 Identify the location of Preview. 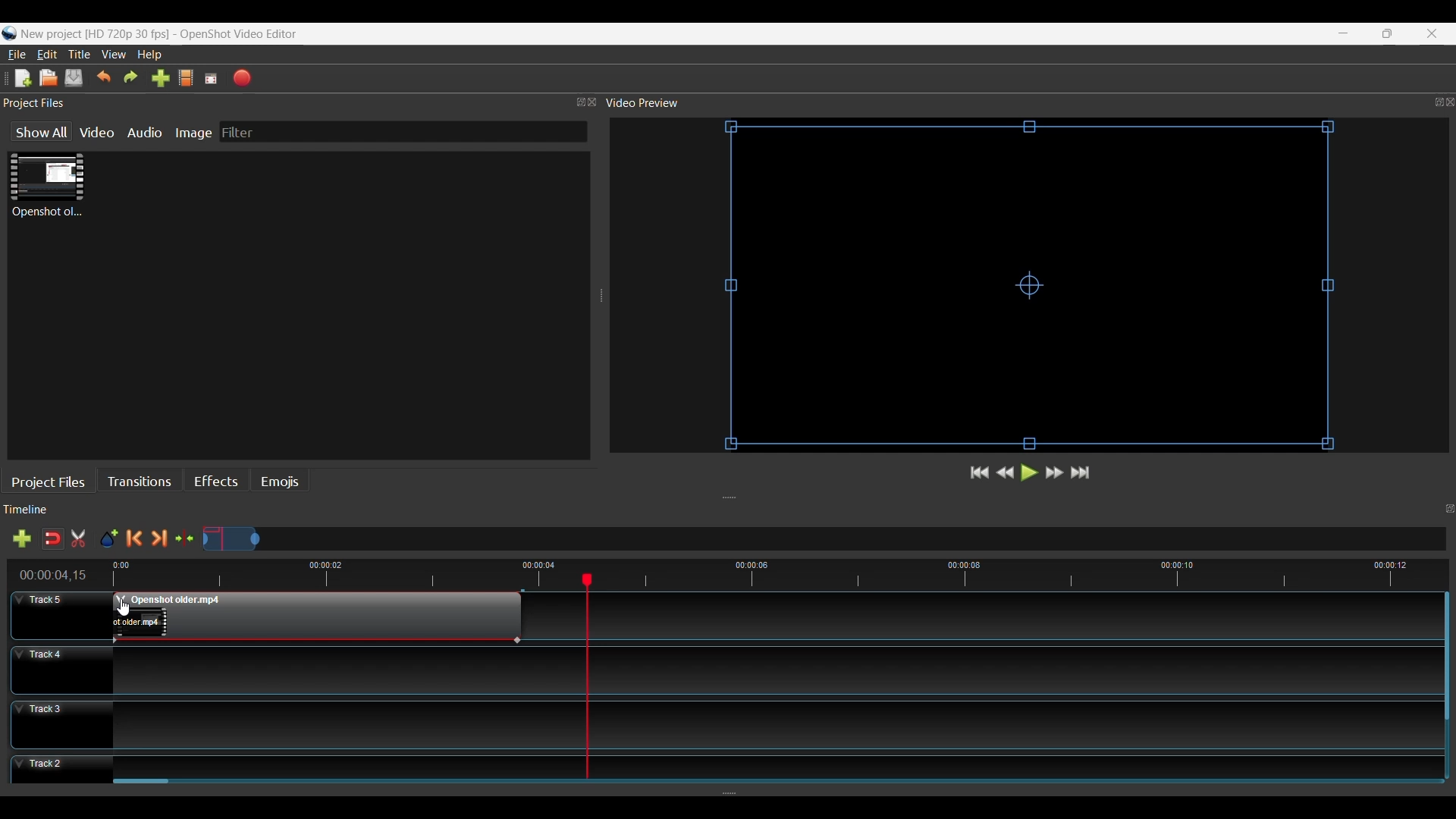
(1006, 474).